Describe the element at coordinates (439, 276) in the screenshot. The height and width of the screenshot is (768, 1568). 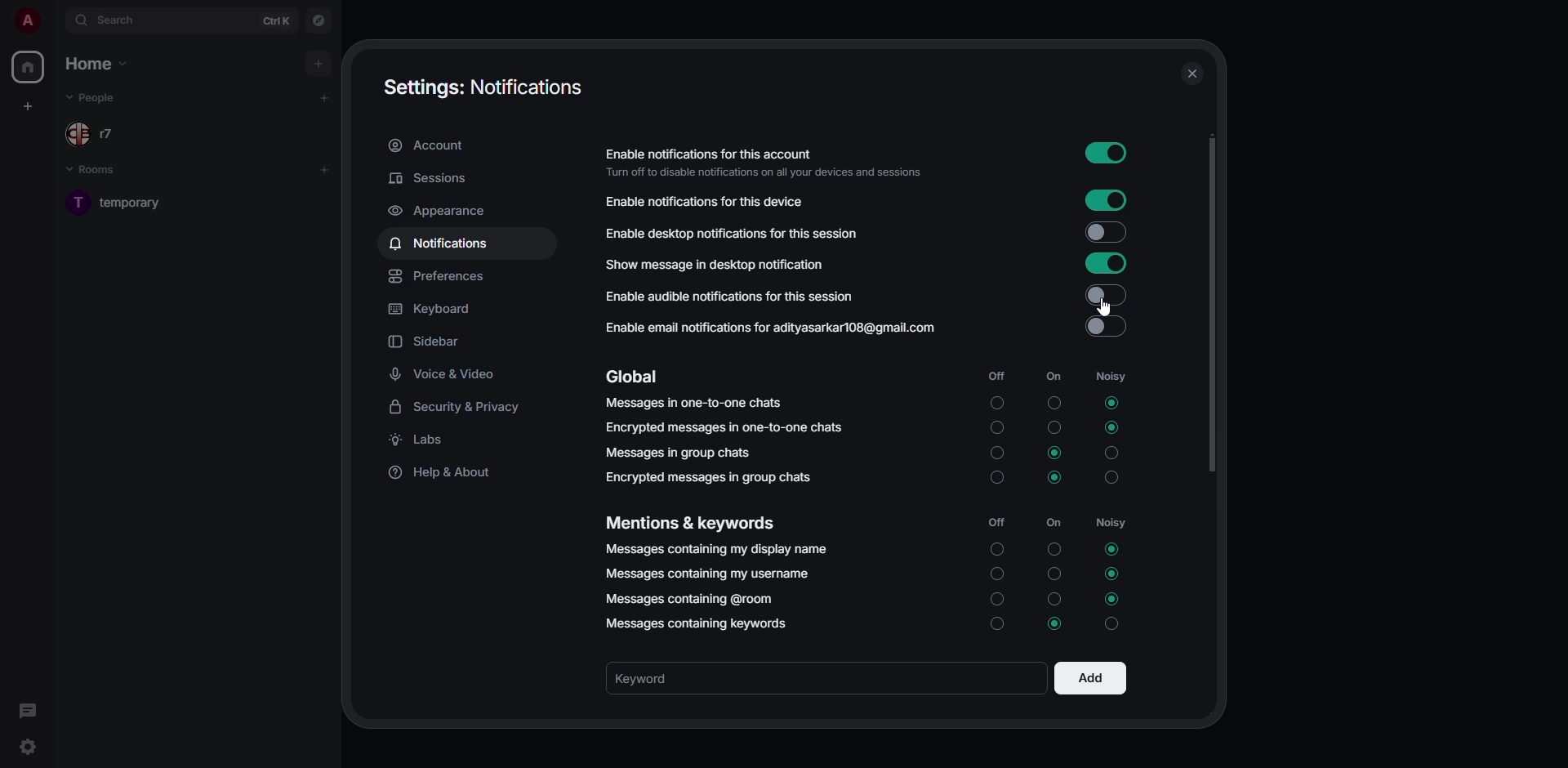
I see `preferences` at that location.